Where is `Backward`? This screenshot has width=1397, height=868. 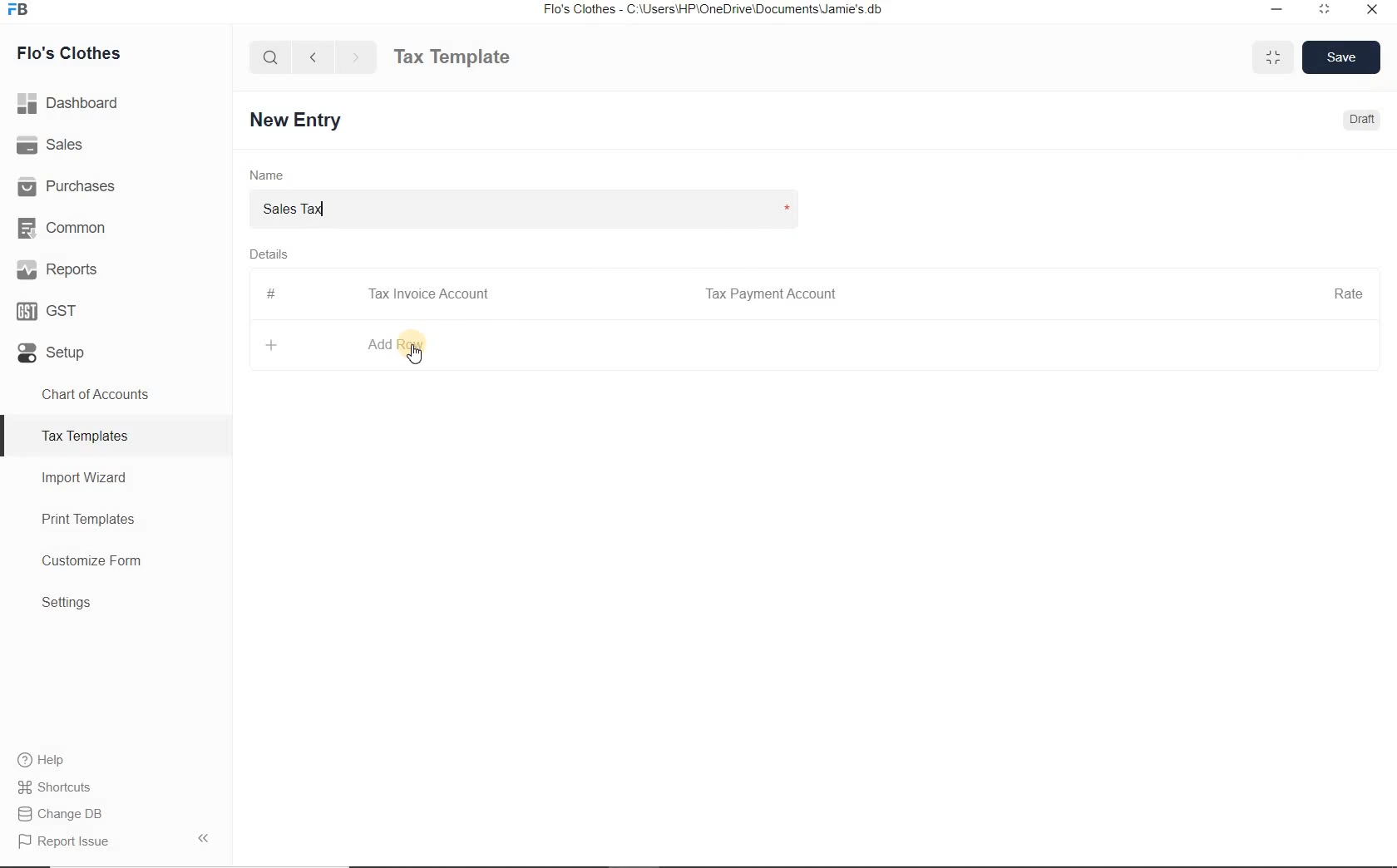 Backward is located at coordinates (313, 56).